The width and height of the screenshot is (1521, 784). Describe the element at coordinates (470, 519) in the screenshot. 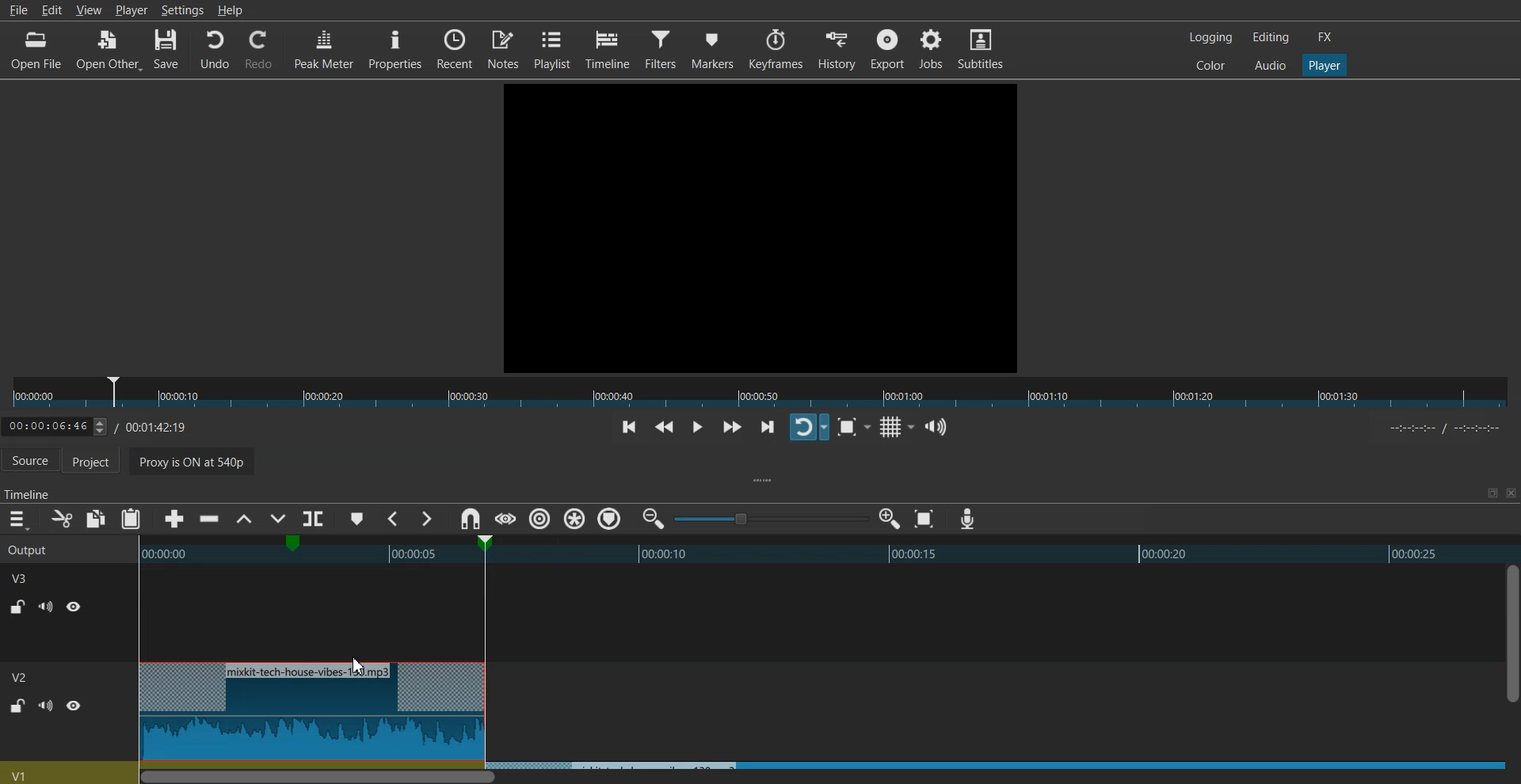

I see `Snap` at that location.